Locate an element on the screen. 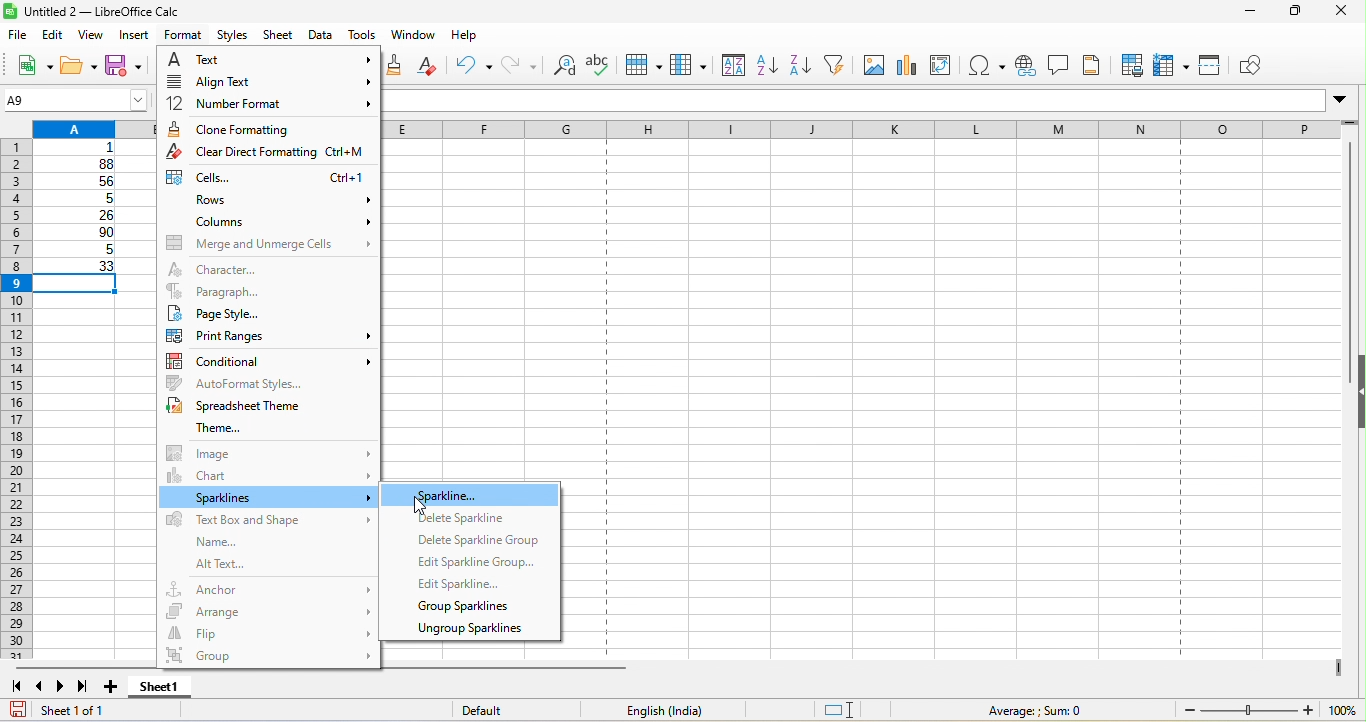 The width and height of the screenshot is (1366, 722). conditional is located at coordinates (271, 358).